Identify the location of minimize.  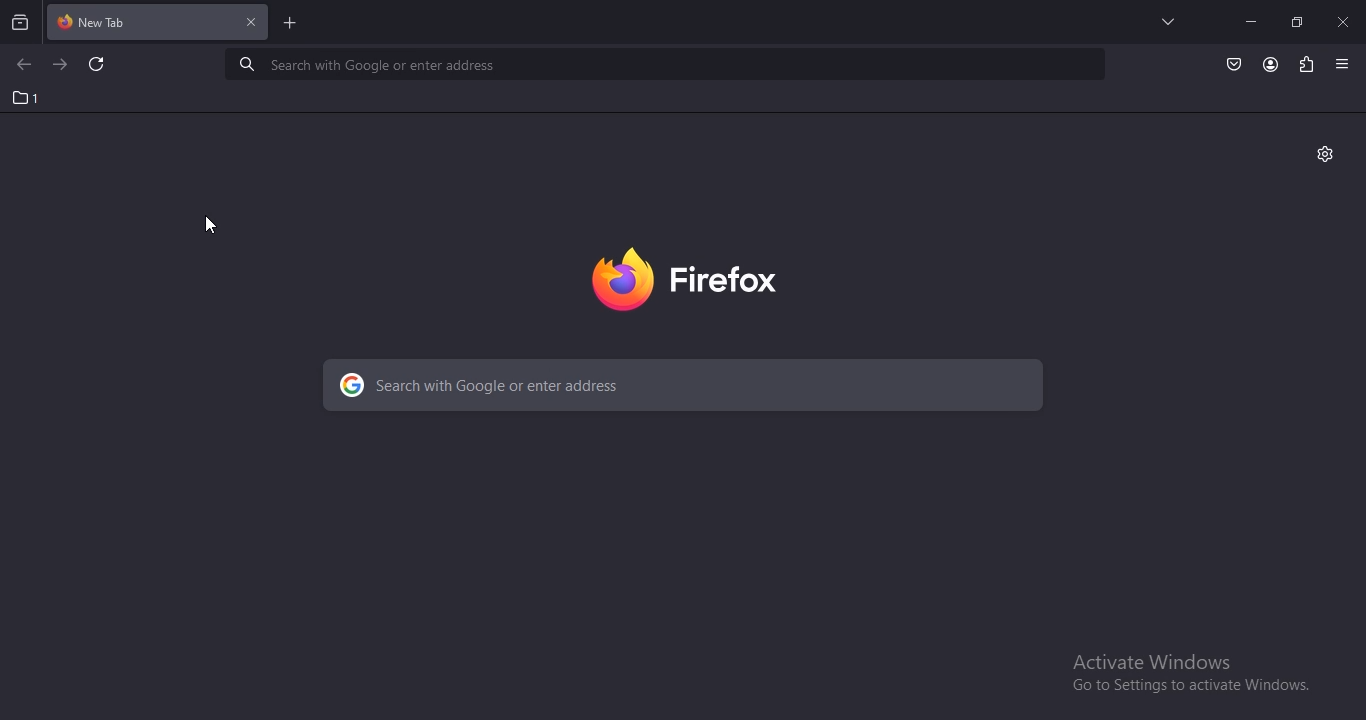
(1250, 21).